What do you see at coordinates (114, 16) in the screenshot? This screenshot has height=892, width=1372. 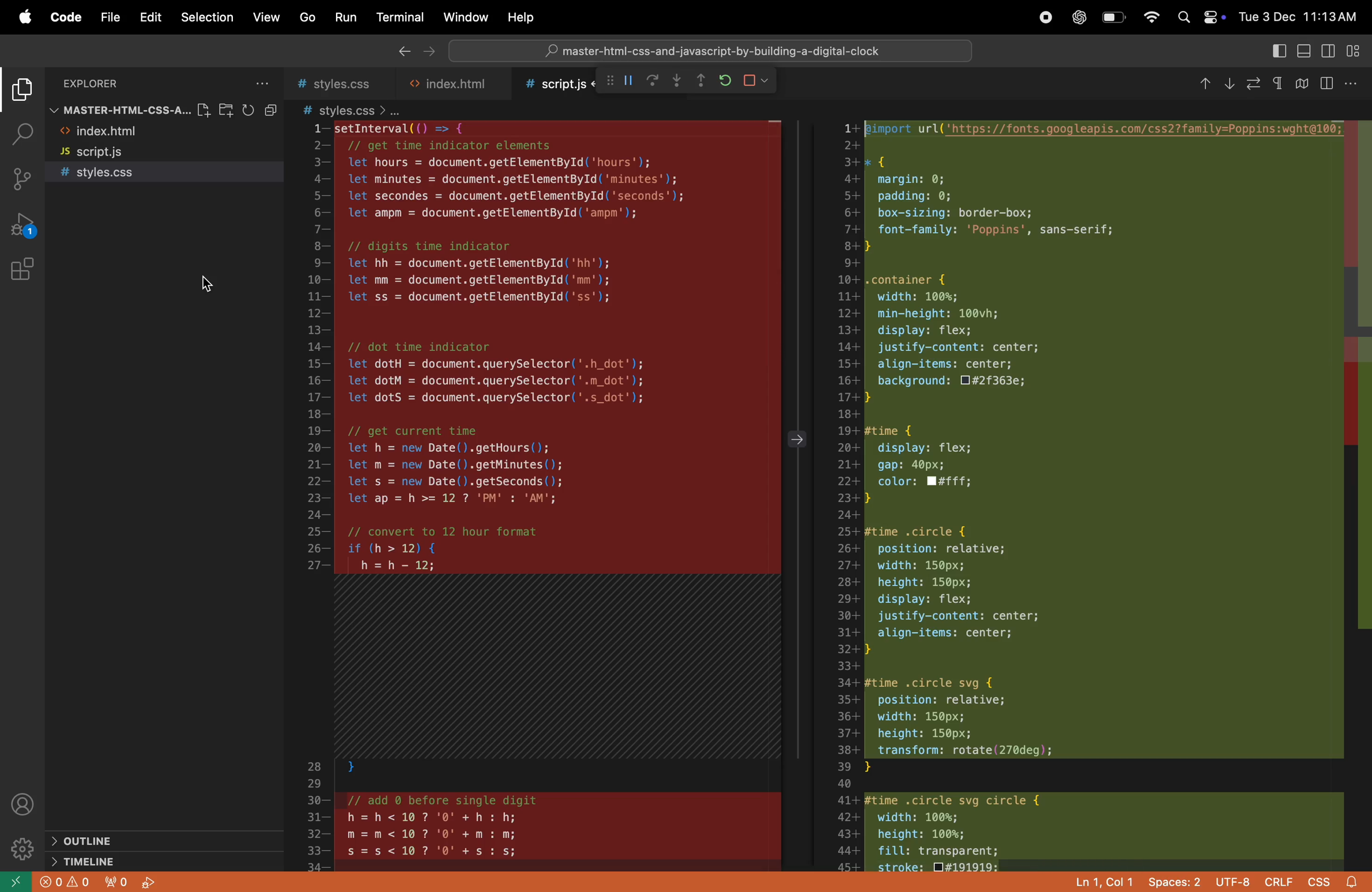 I see `file` at bounding box center [114, 16].